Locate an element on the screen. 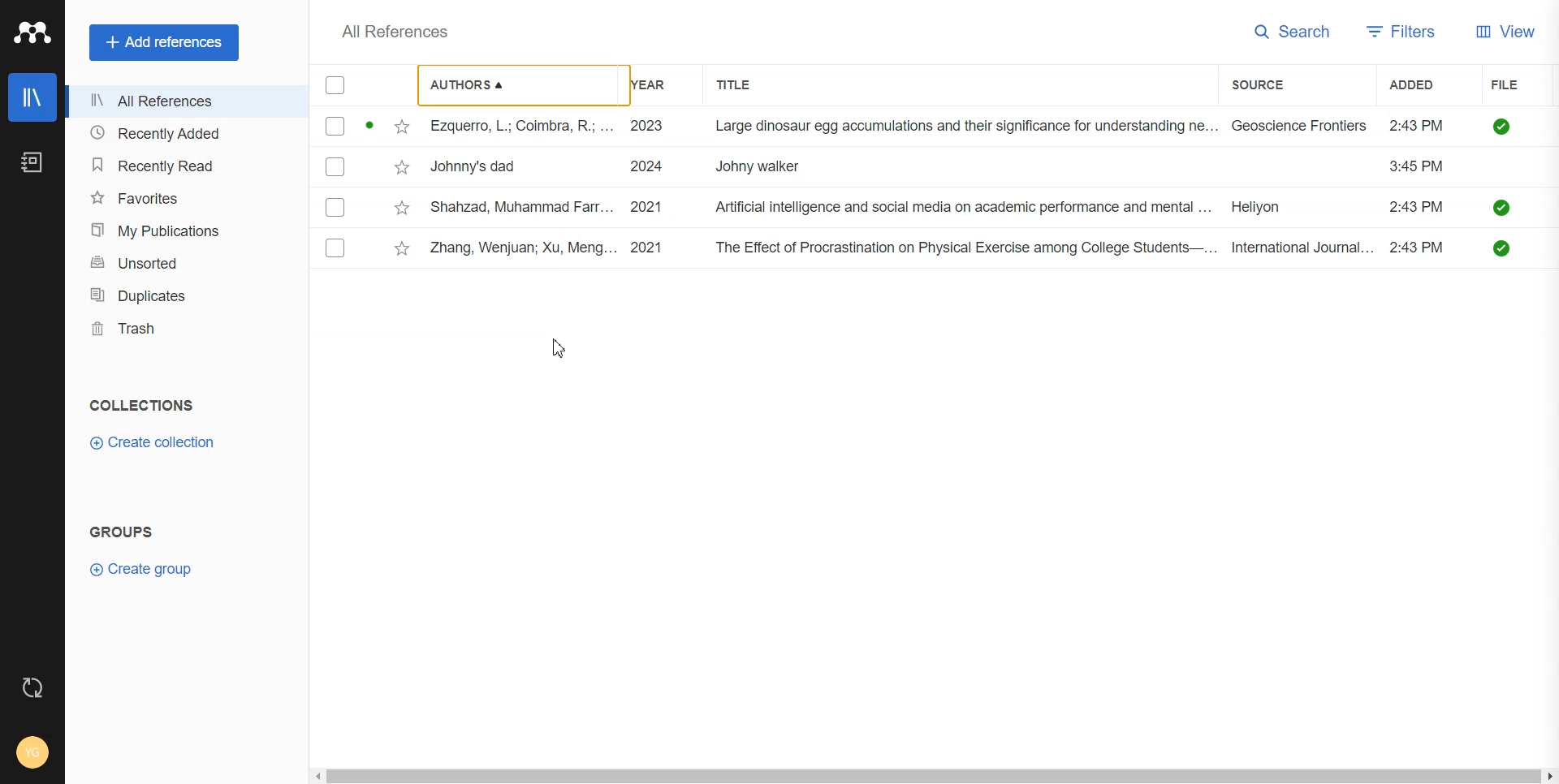 Image resolution: width=1559 pixels, height=784 pixels. Horizontal Scroll bar is located at coordinates (933, 776).